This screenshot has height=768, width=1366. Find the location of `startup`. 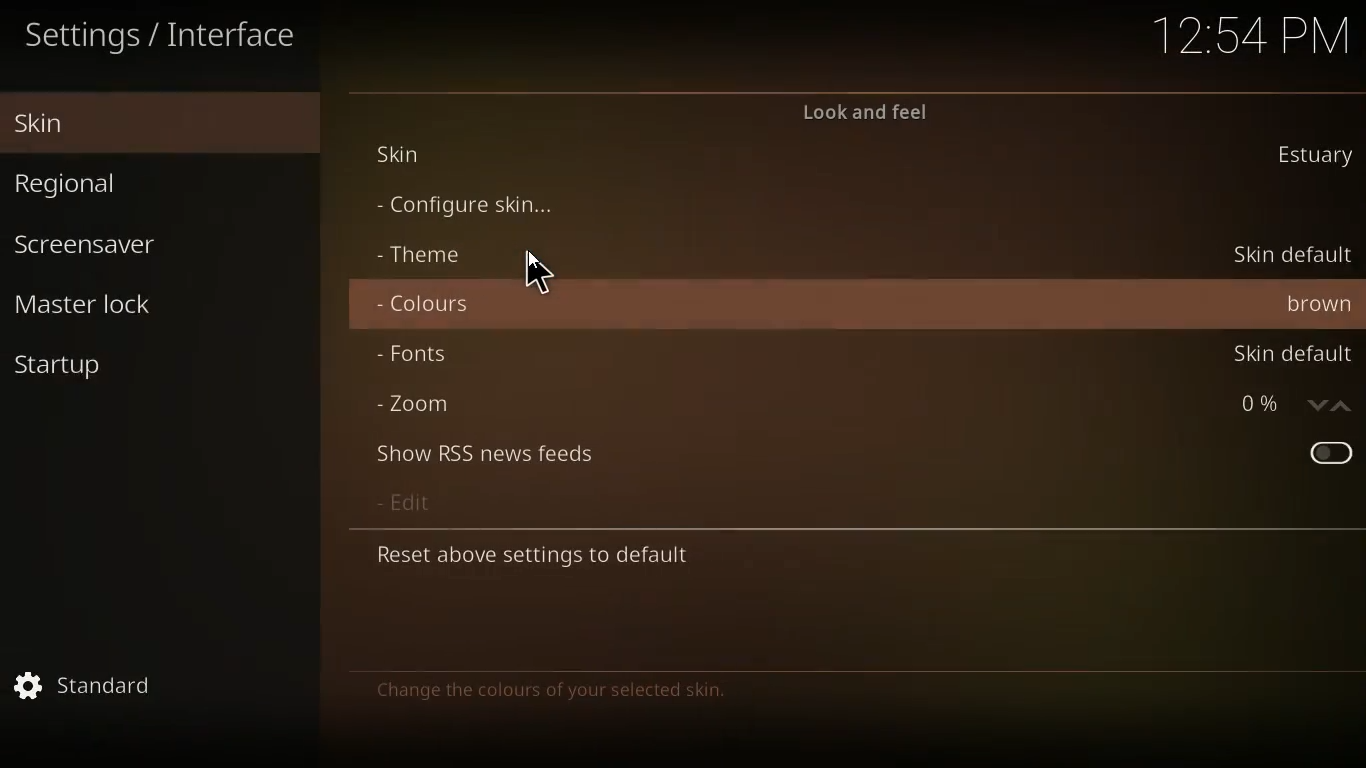

startup is located at coordinates (85, 368).